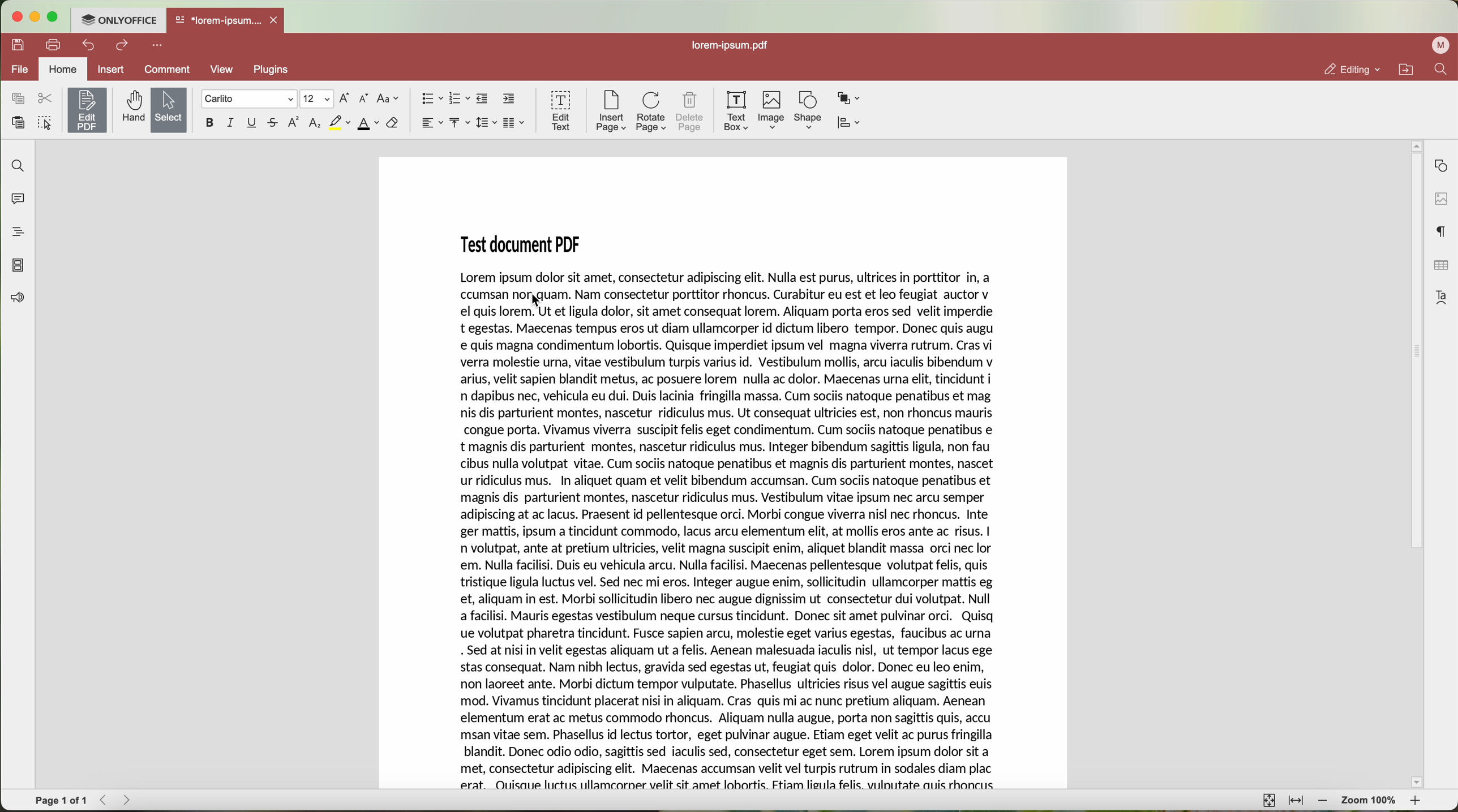 The width and height of the screenshot is (1458, 812). Describe the element at coordinates (486, 123) in the screenshot. I see `line spacing` at that location.